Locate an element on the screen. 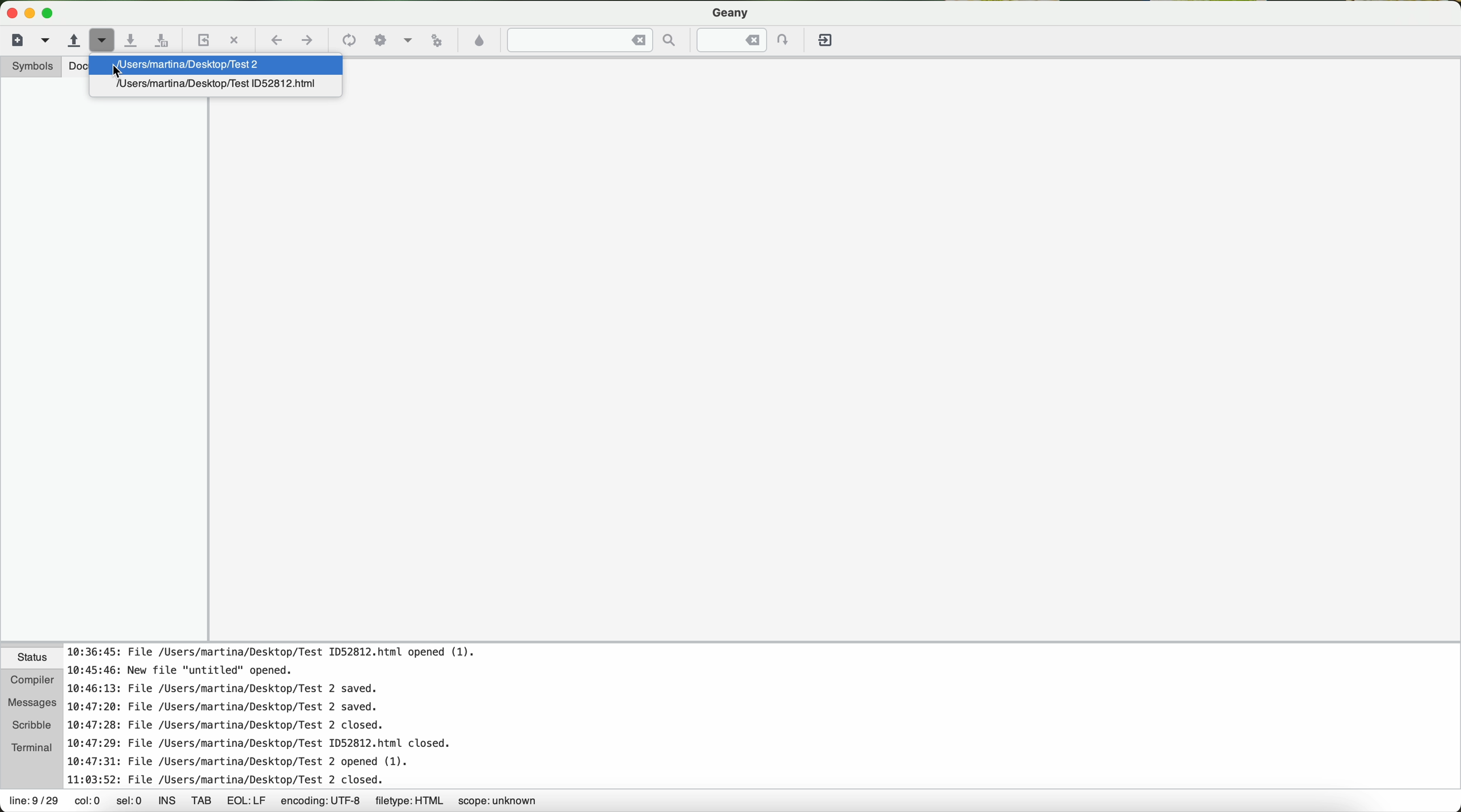 Image resolution: width=1461 pixels, height=812 pixels. cursor is located at coordinates (116, 71).